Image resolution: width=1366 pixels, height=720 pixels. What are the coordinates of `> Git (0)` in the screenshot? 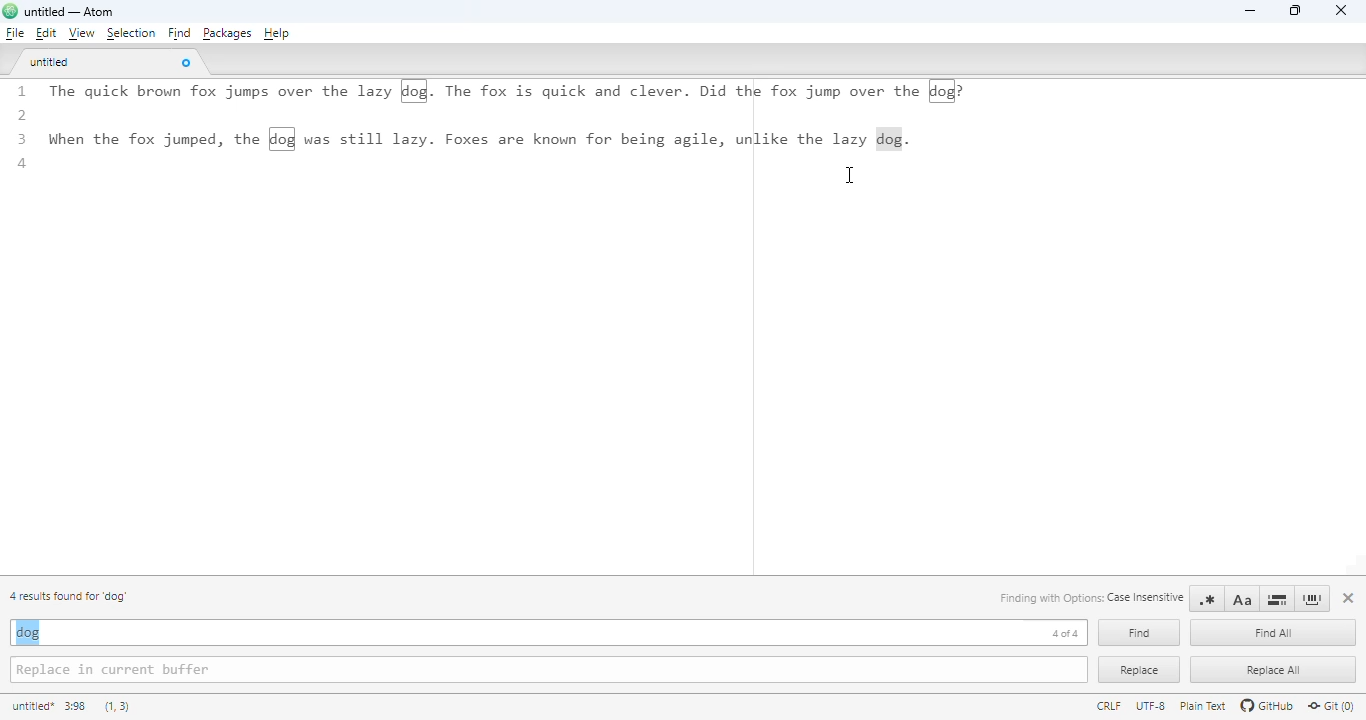 It's located at (1332, 707).